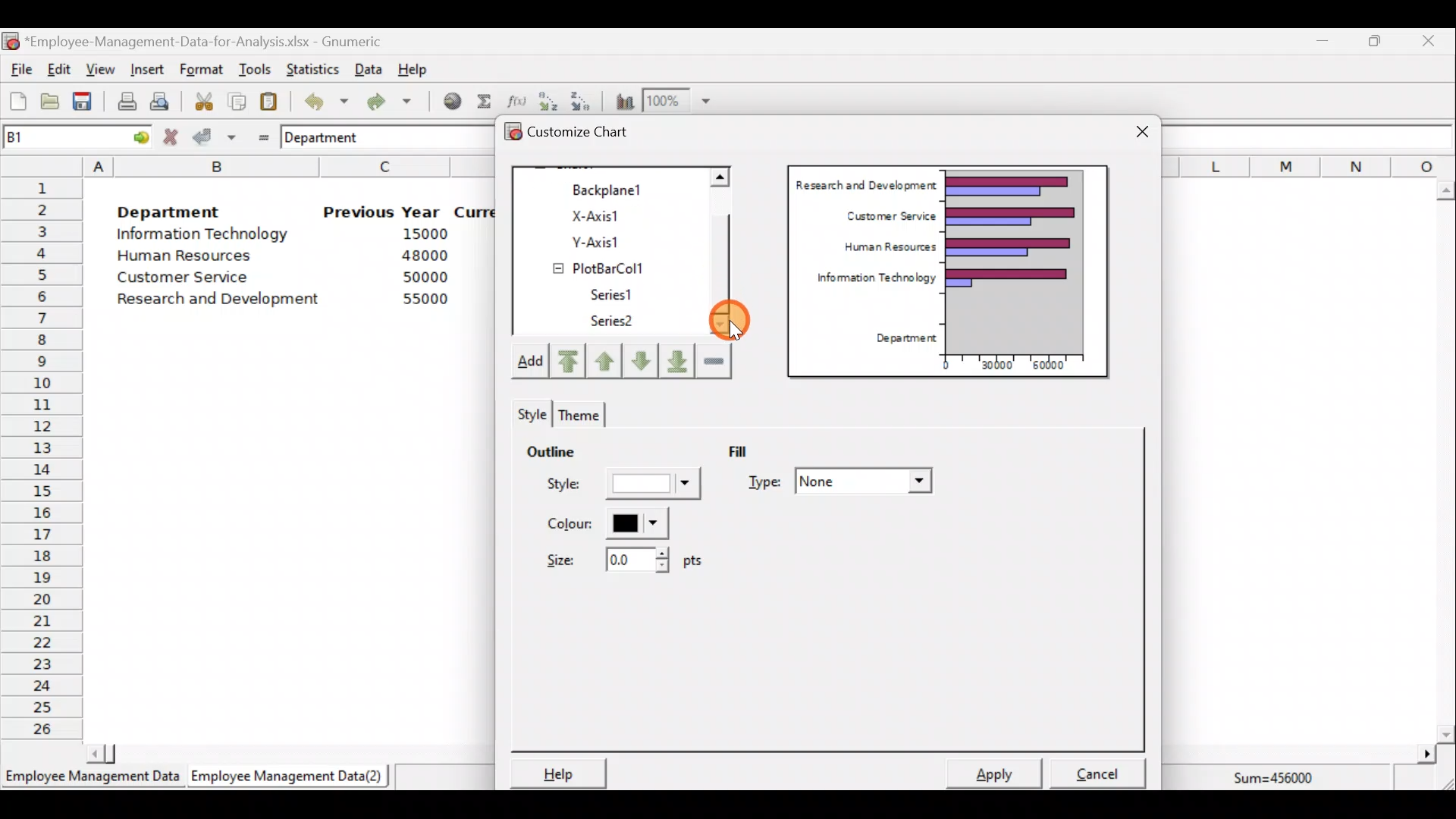  Describe the element at coordinates (613, 188) in the screenshot. I see `Backplane1` at that location.